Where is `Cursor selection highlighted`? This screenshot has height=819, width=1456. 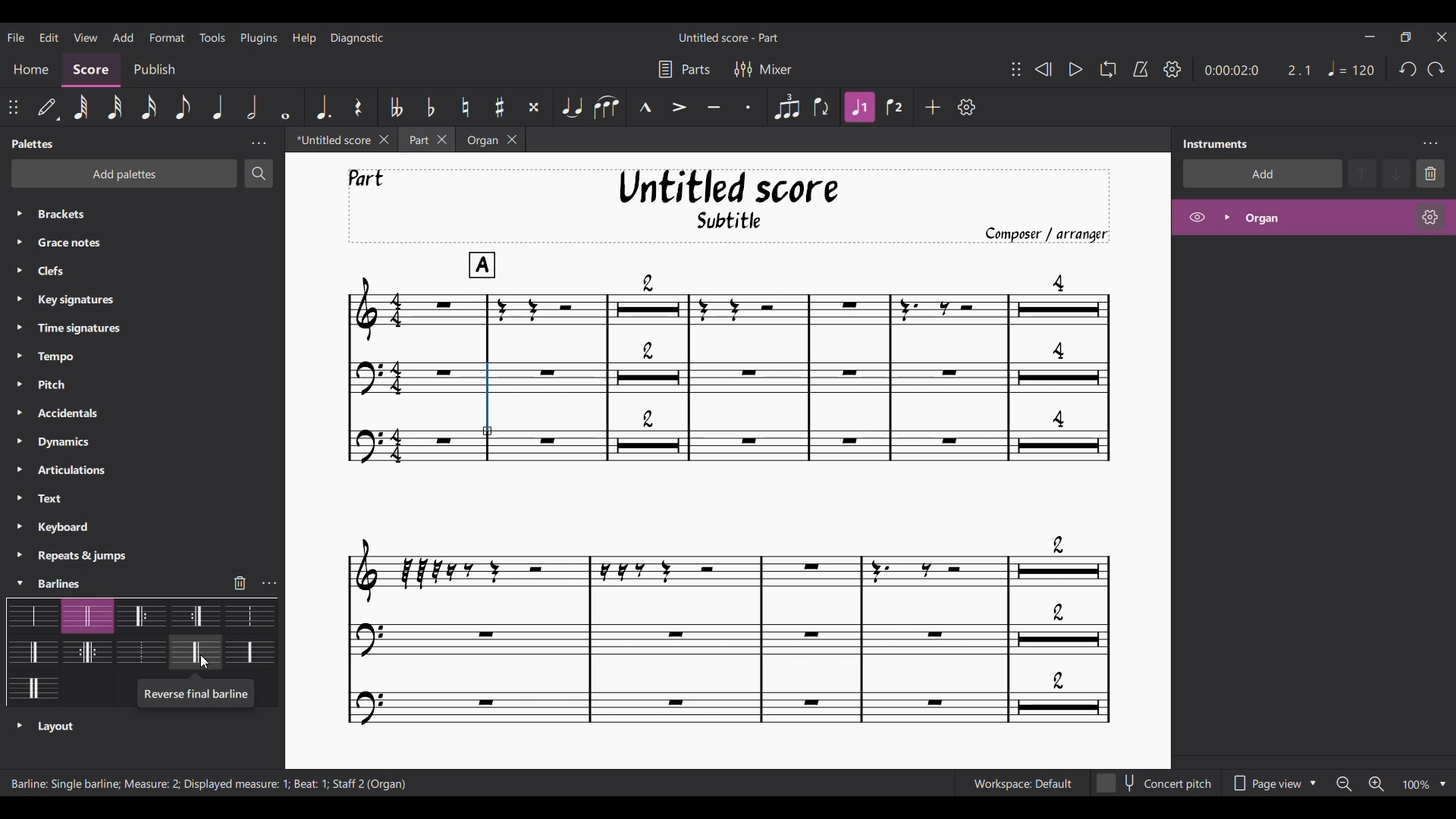 Cursor selection highlighted is located at coordinates (20, 584).